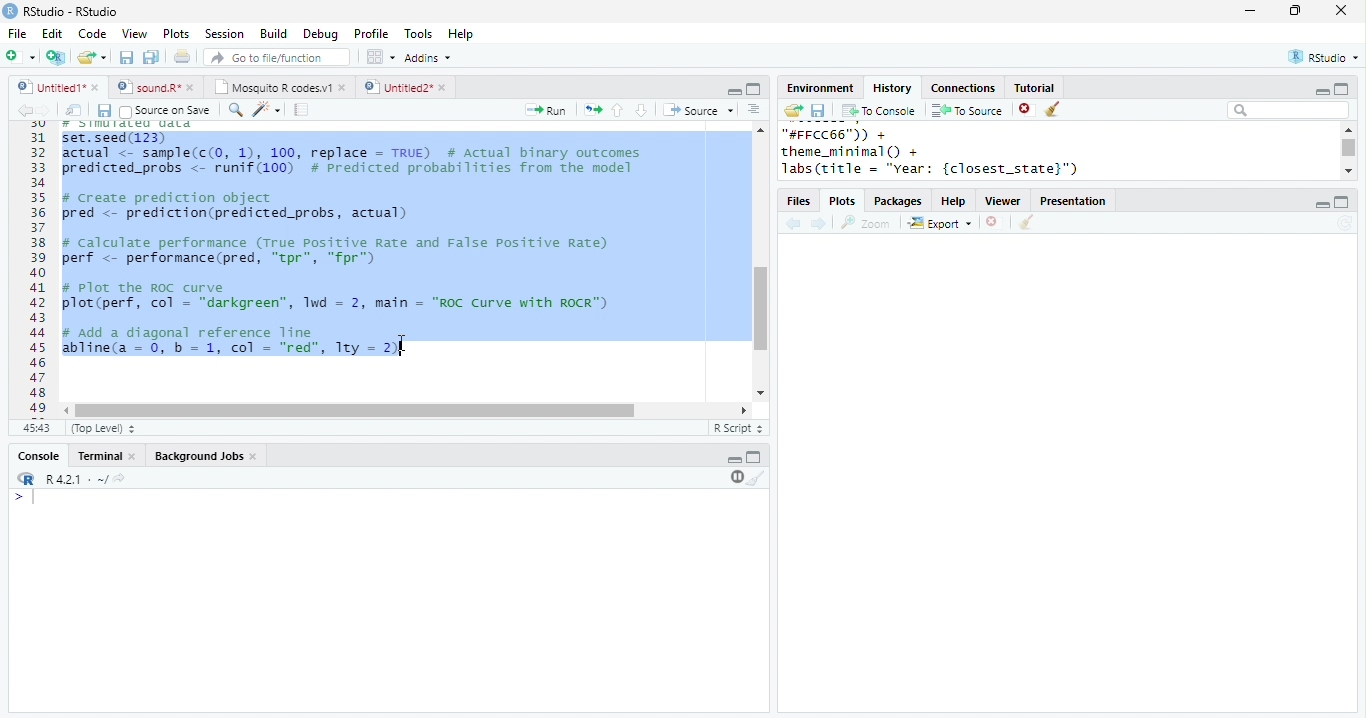 This screenshot has width=1366, height=718. What do you see at coordinates (545, 110) in the screenshot?
I see `run` at bounding box center [545, 110].